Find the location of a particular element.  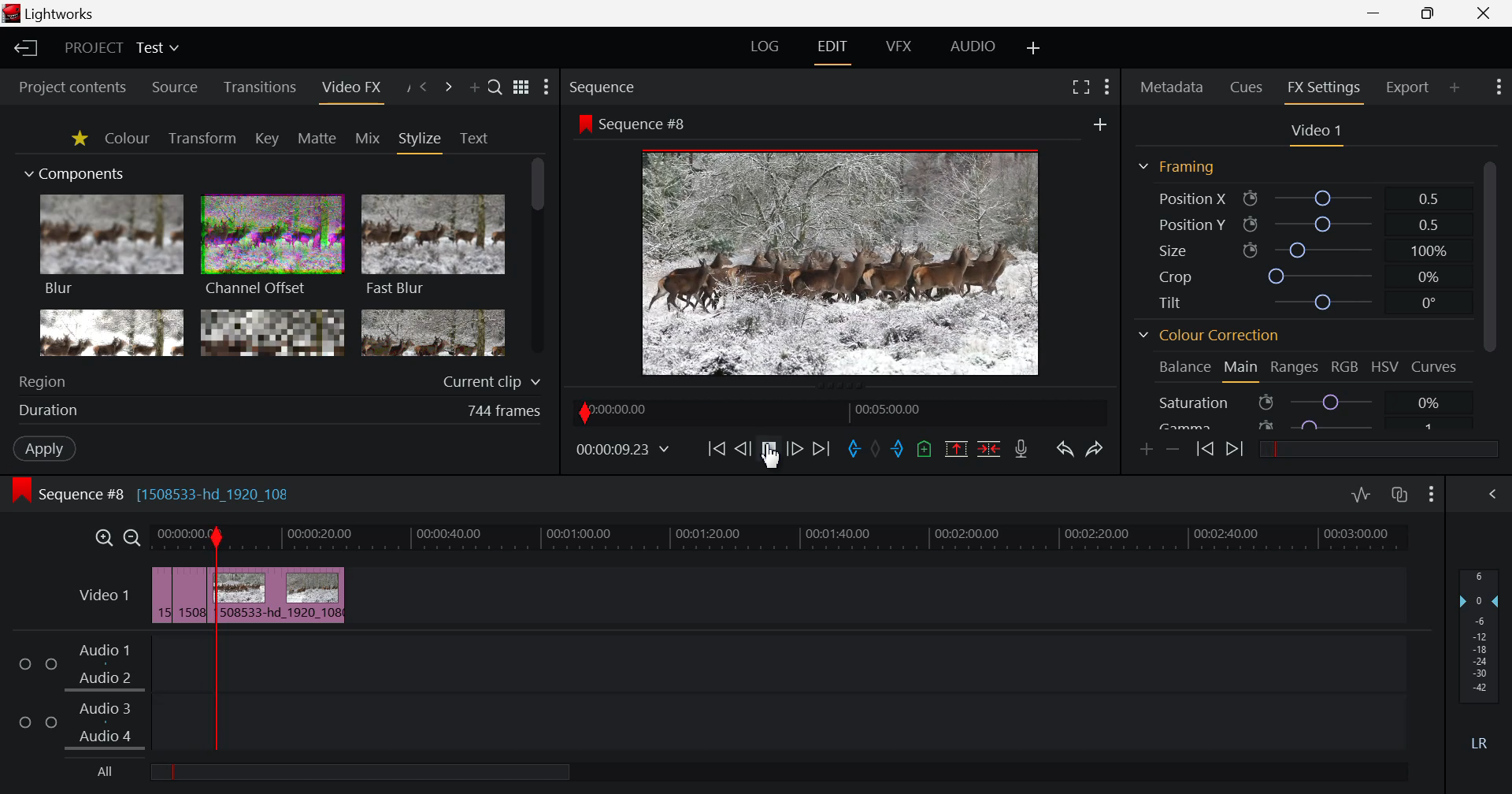

FX Settings is located at coordinates (1323, 90).